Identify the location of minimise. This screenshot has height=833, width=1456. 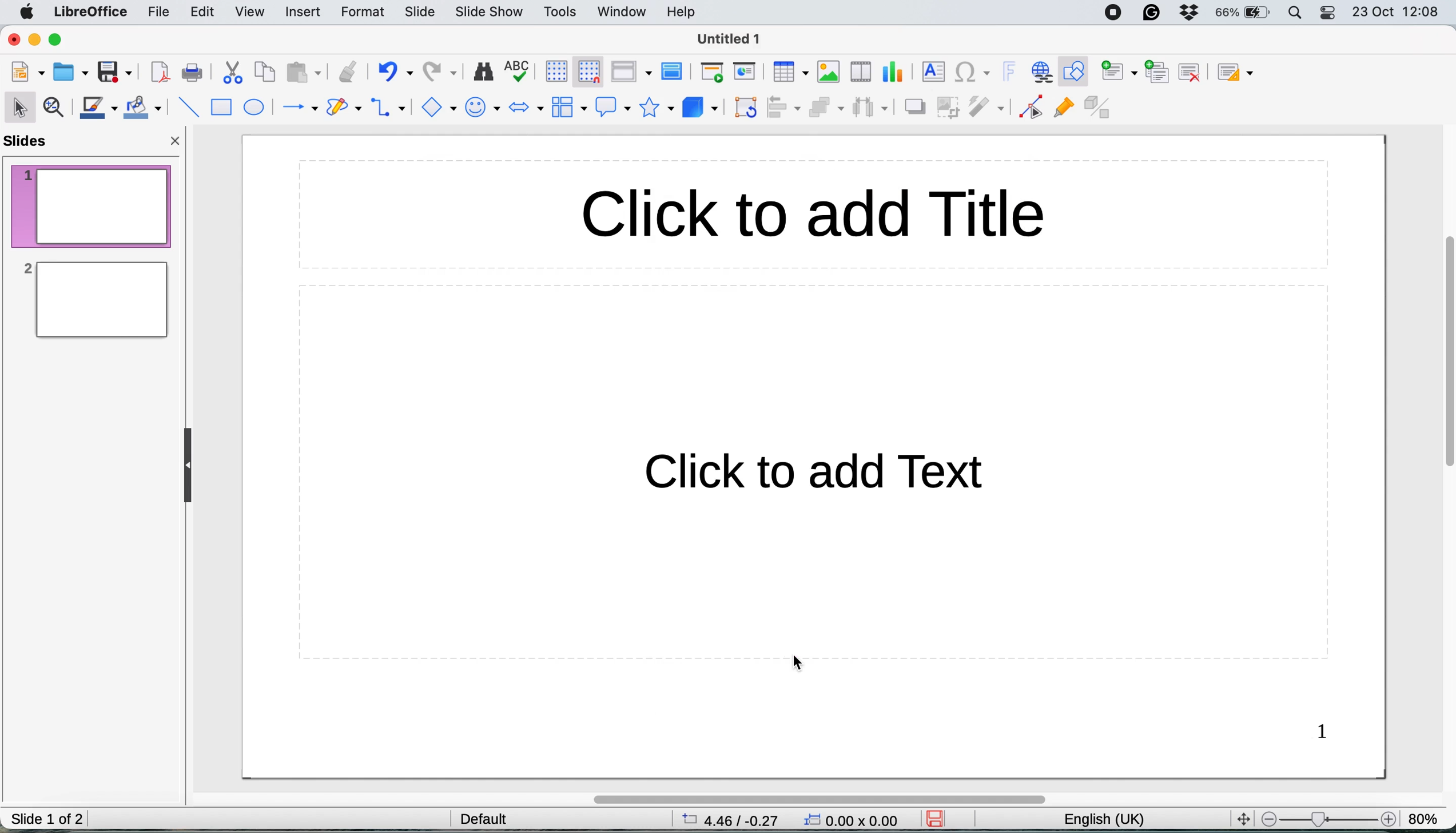
(36, 41).